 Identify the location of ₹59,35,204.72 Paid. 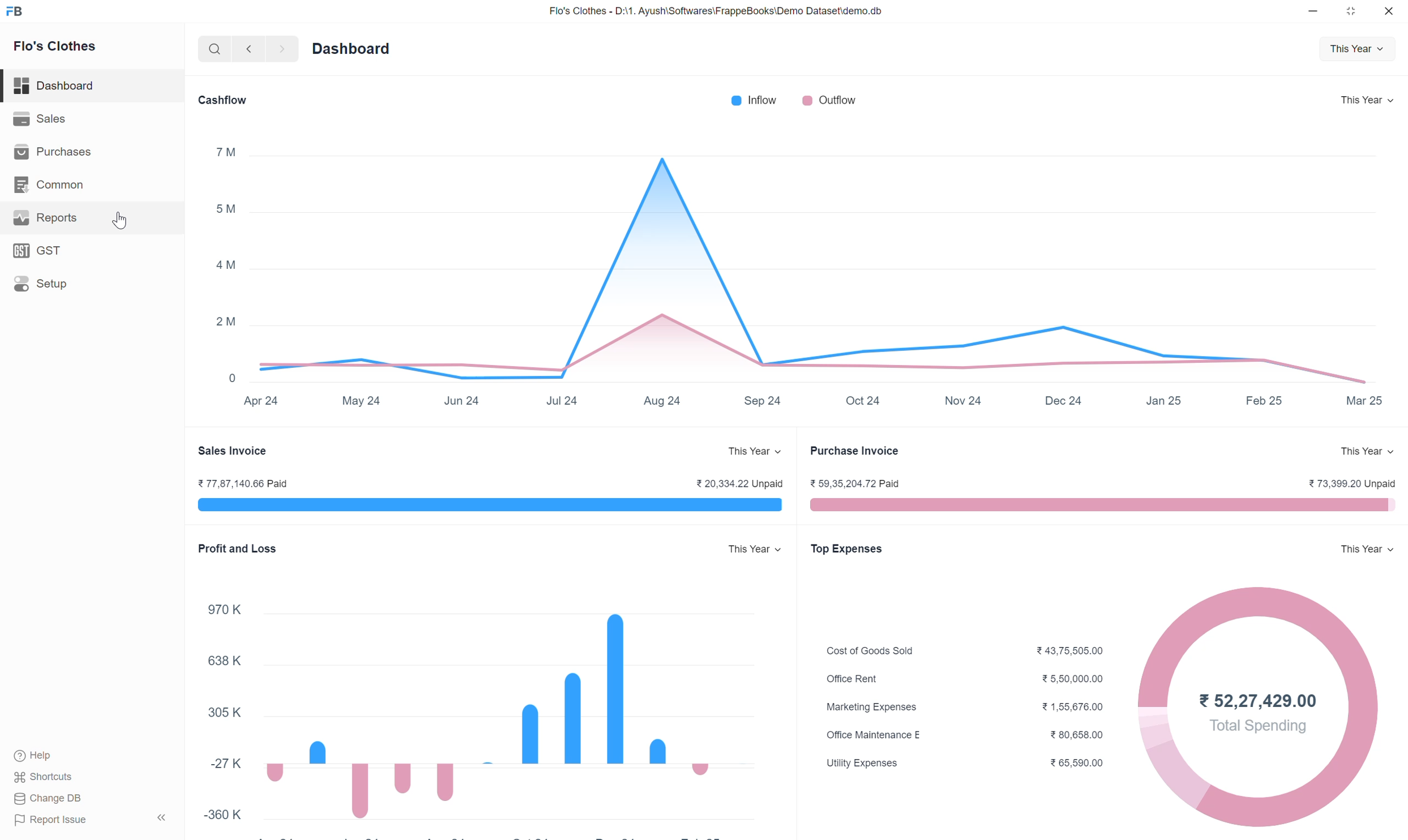
(856, 484).